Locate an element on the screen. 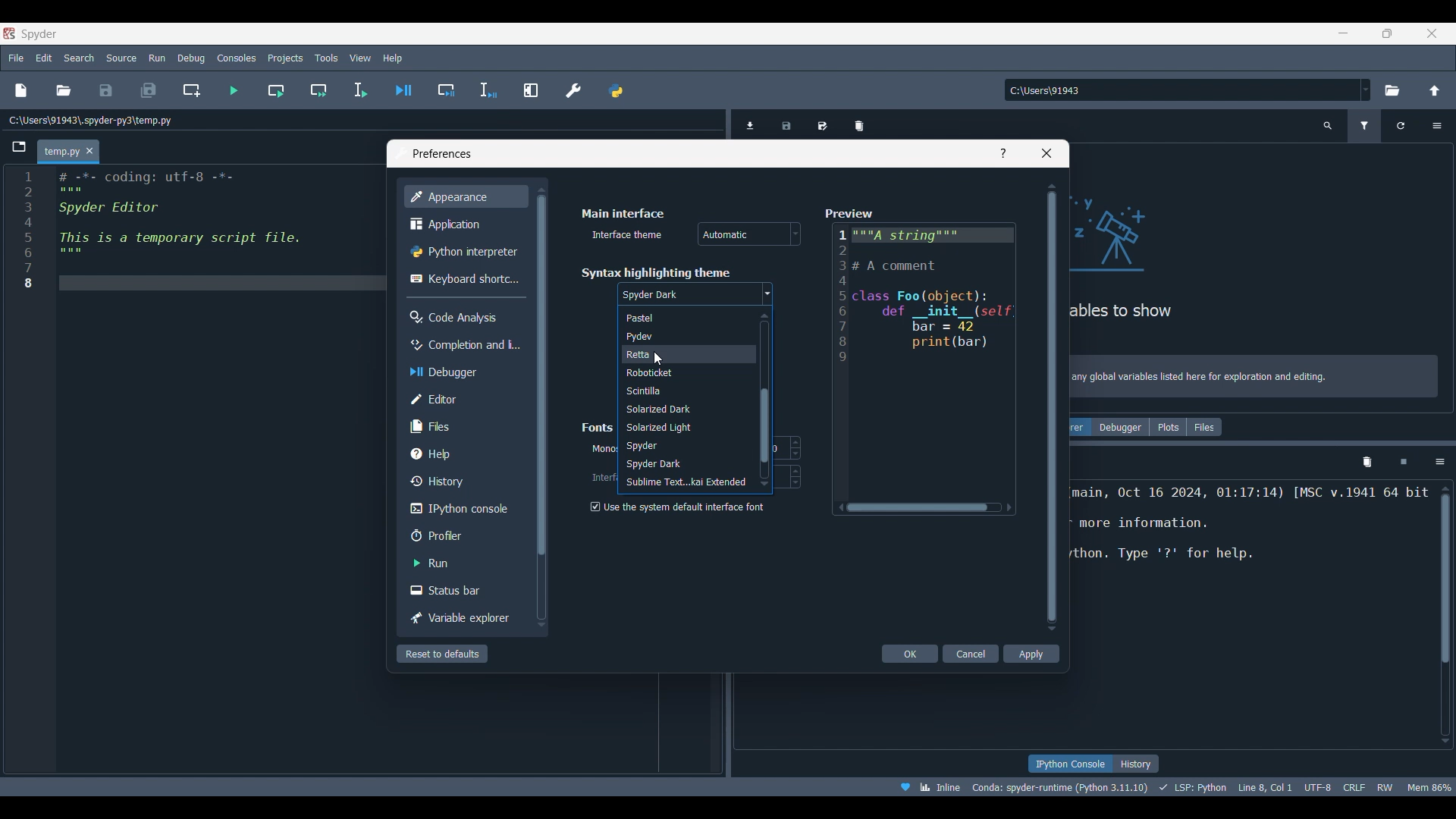 The height and width of the screenshot is (819, 1456). Open is located at coordinates (64, 90).